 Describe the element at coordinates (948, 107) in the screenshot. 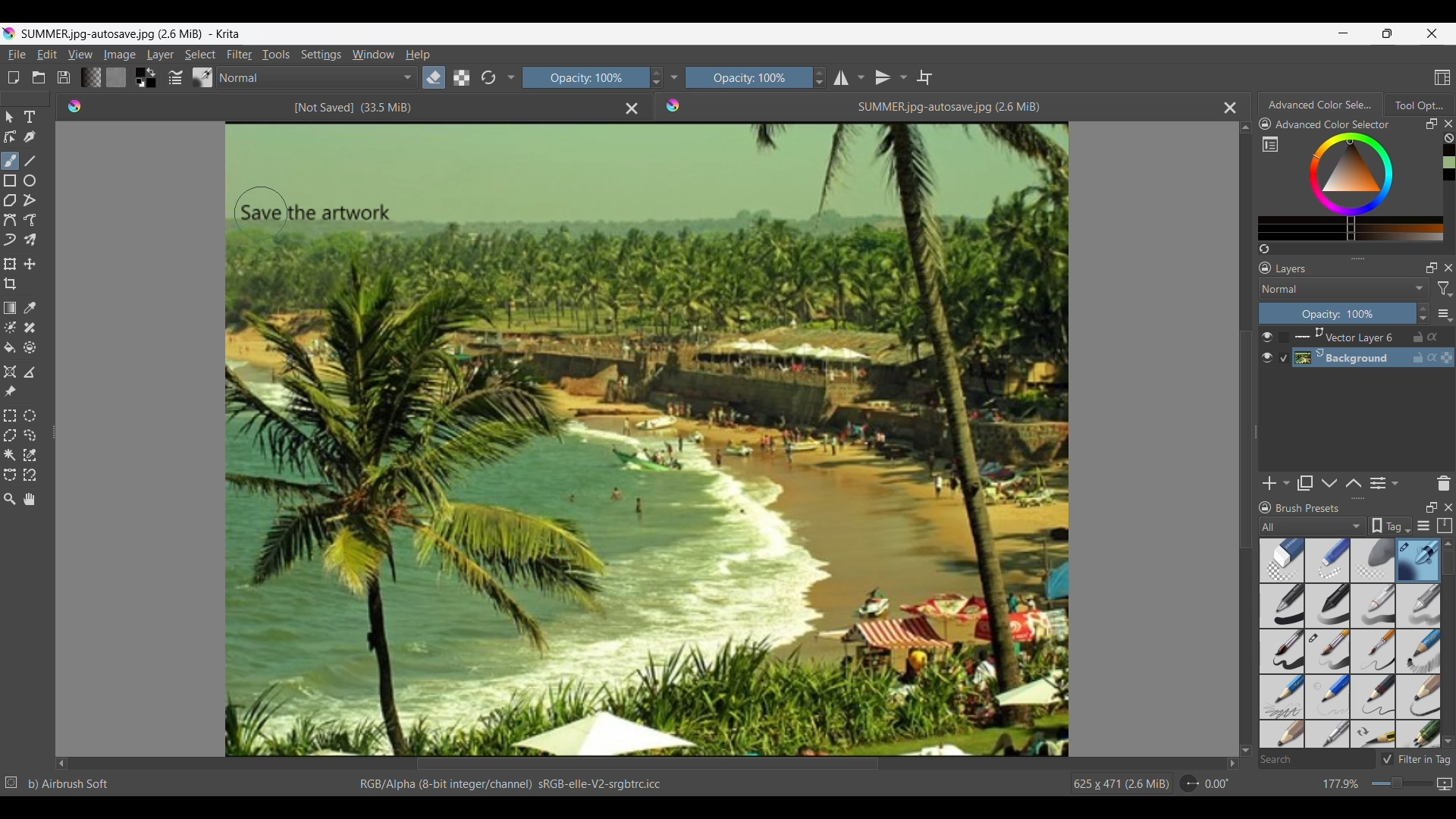

I see `SUMMER.jpg-autosave.jpg (2.6 MiB)` at that location.